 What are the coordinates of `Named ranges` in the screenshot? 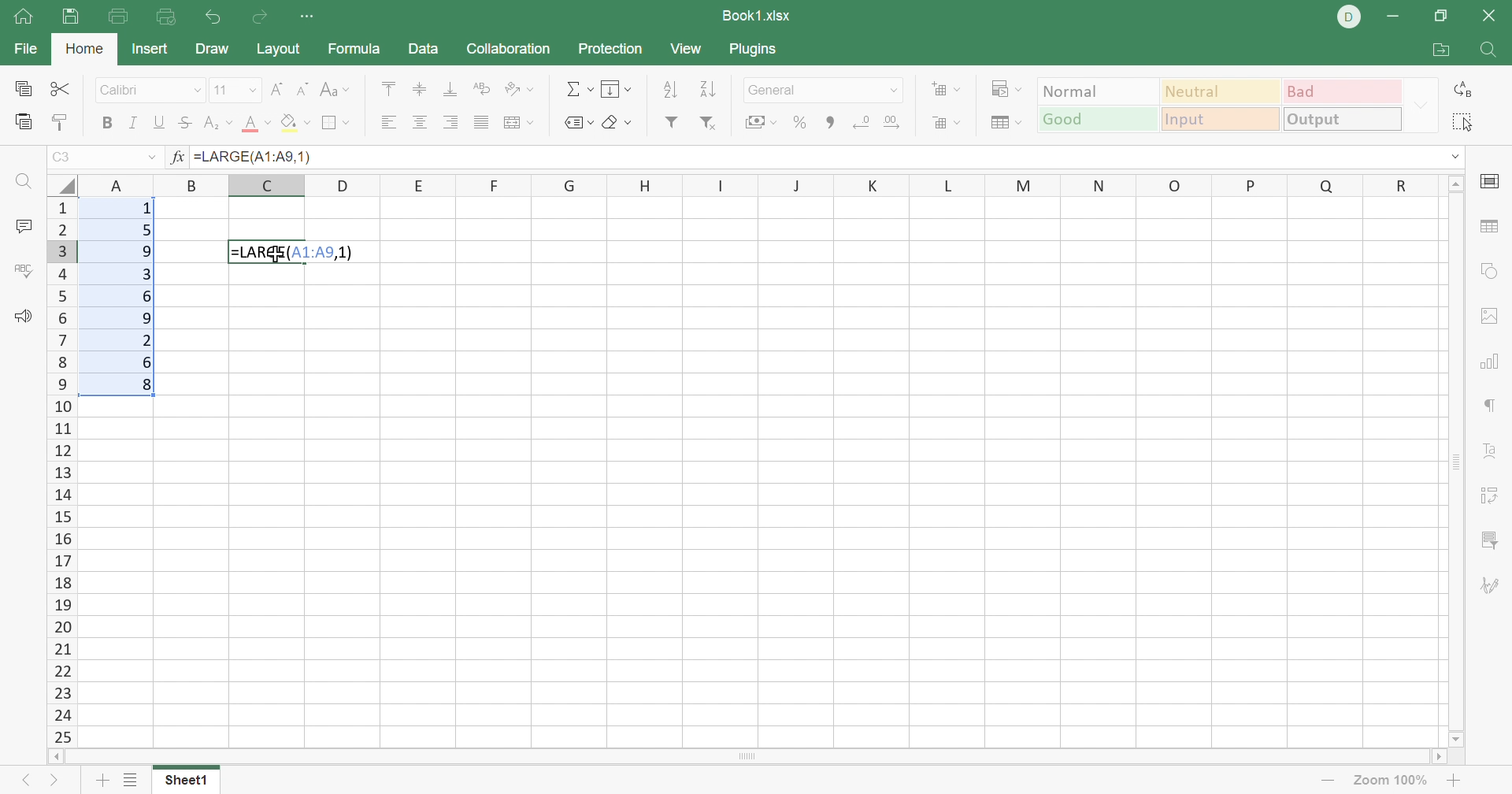 It's located at (579, 124).